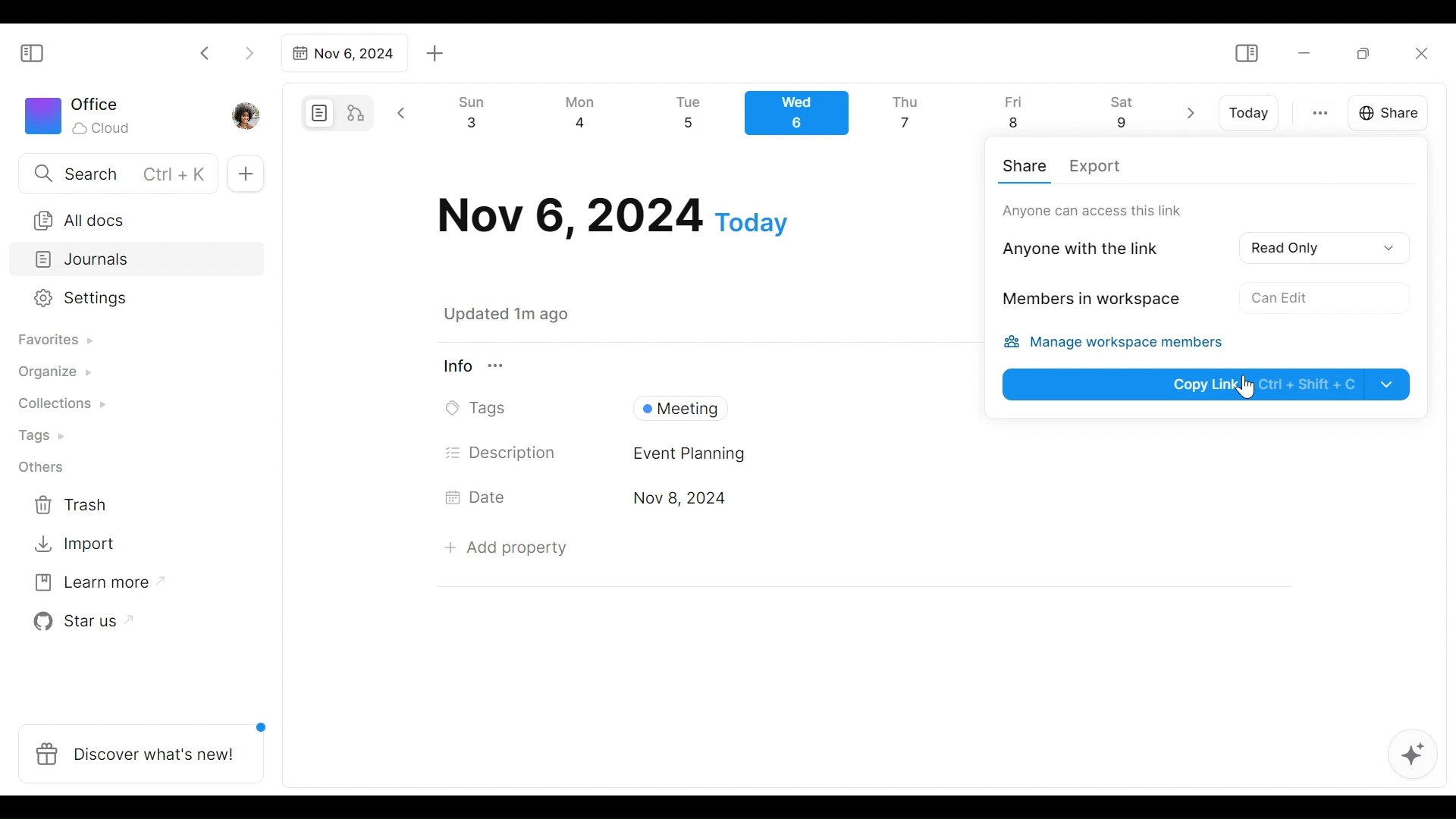  What do you see at coordinates (1116, 344) in the screenshot?
I see `Manage workspace members` at bounding box center [1116, 344].